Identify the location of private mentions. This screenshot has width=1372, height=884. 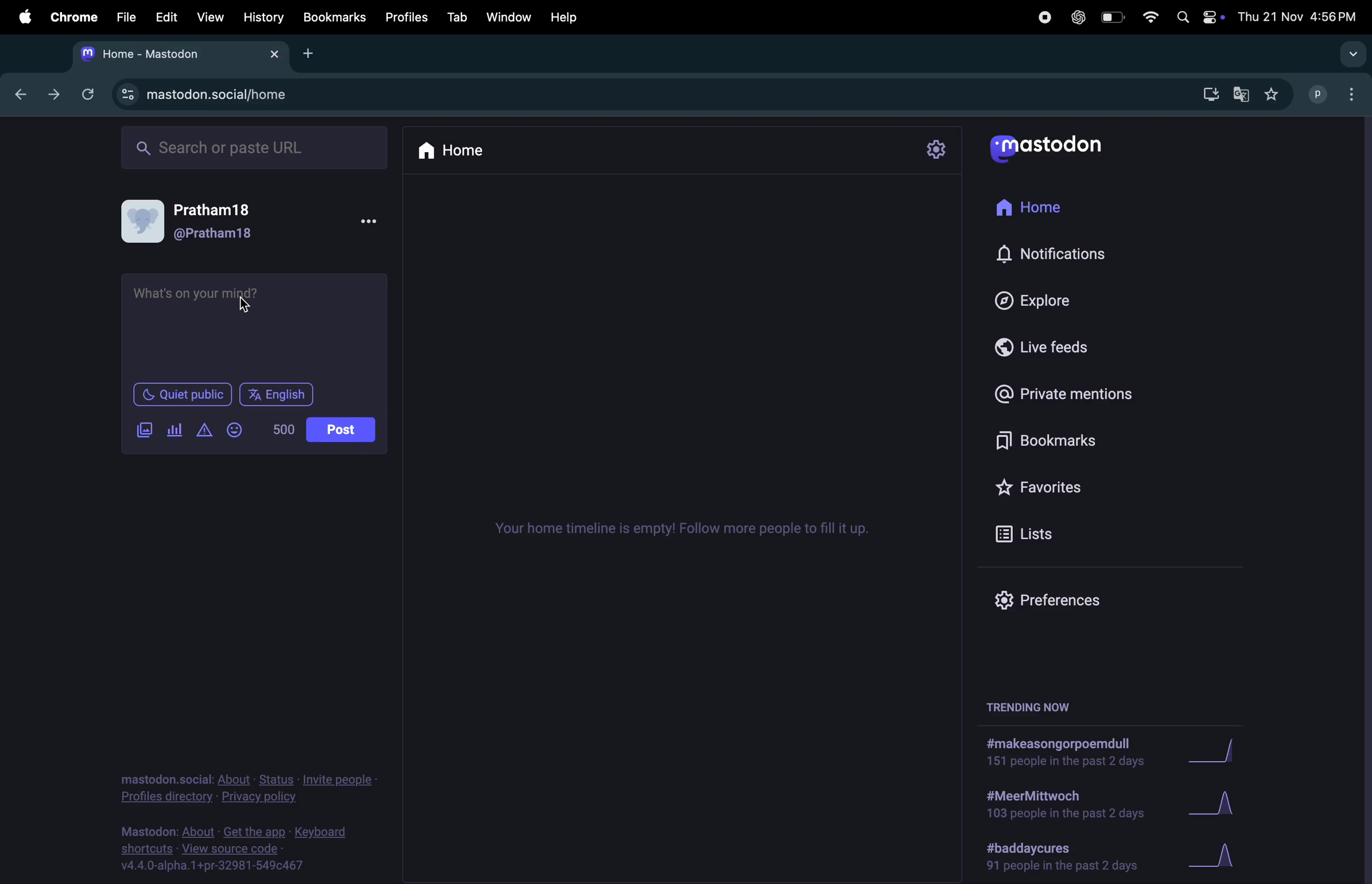
(1066, 397).